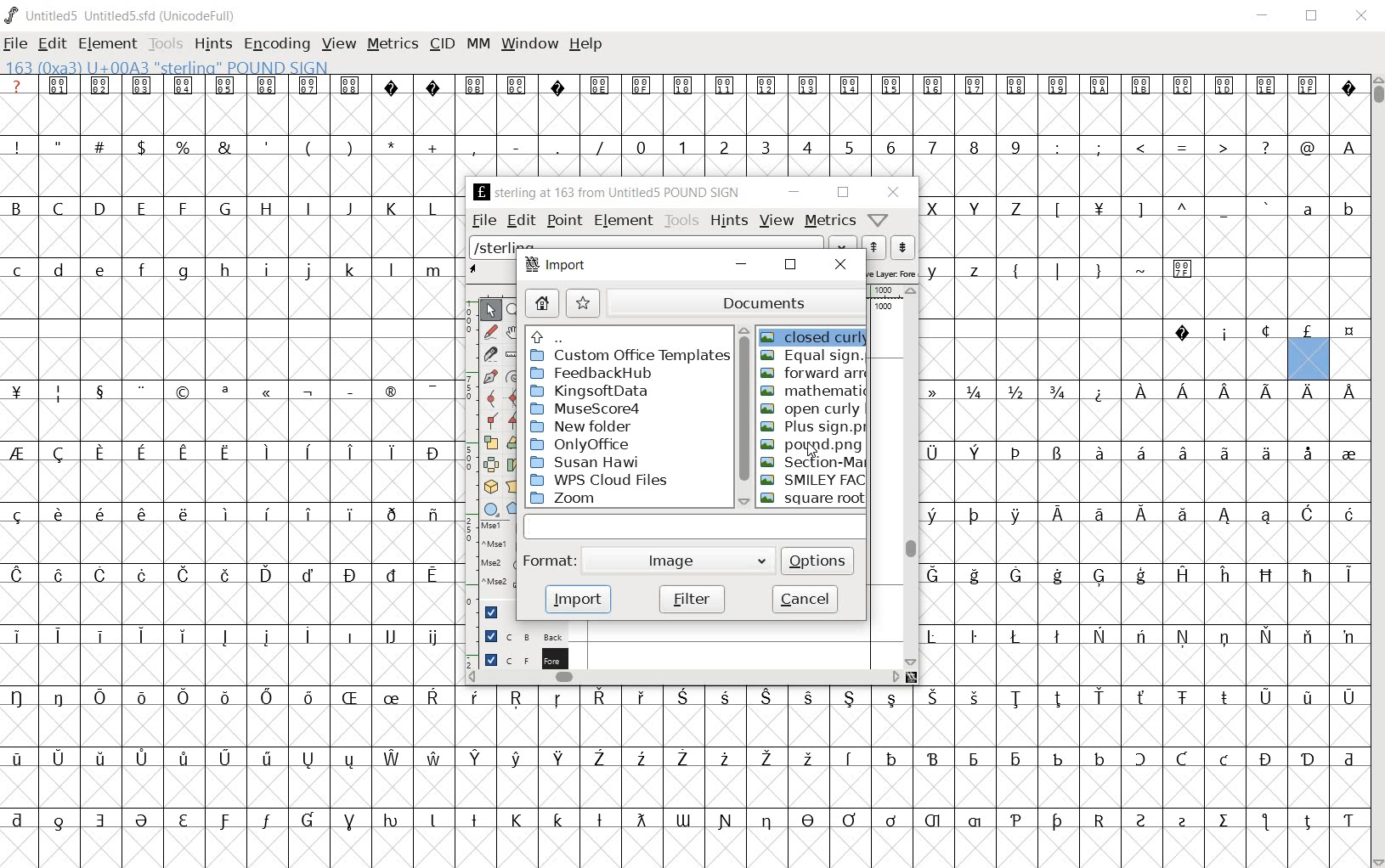 The width and height of the screenshot is (1385, 868). What do you see at coordinates (1014, 390) in the screenshot?
I see `1/2` at bounding box center [1014, 390].